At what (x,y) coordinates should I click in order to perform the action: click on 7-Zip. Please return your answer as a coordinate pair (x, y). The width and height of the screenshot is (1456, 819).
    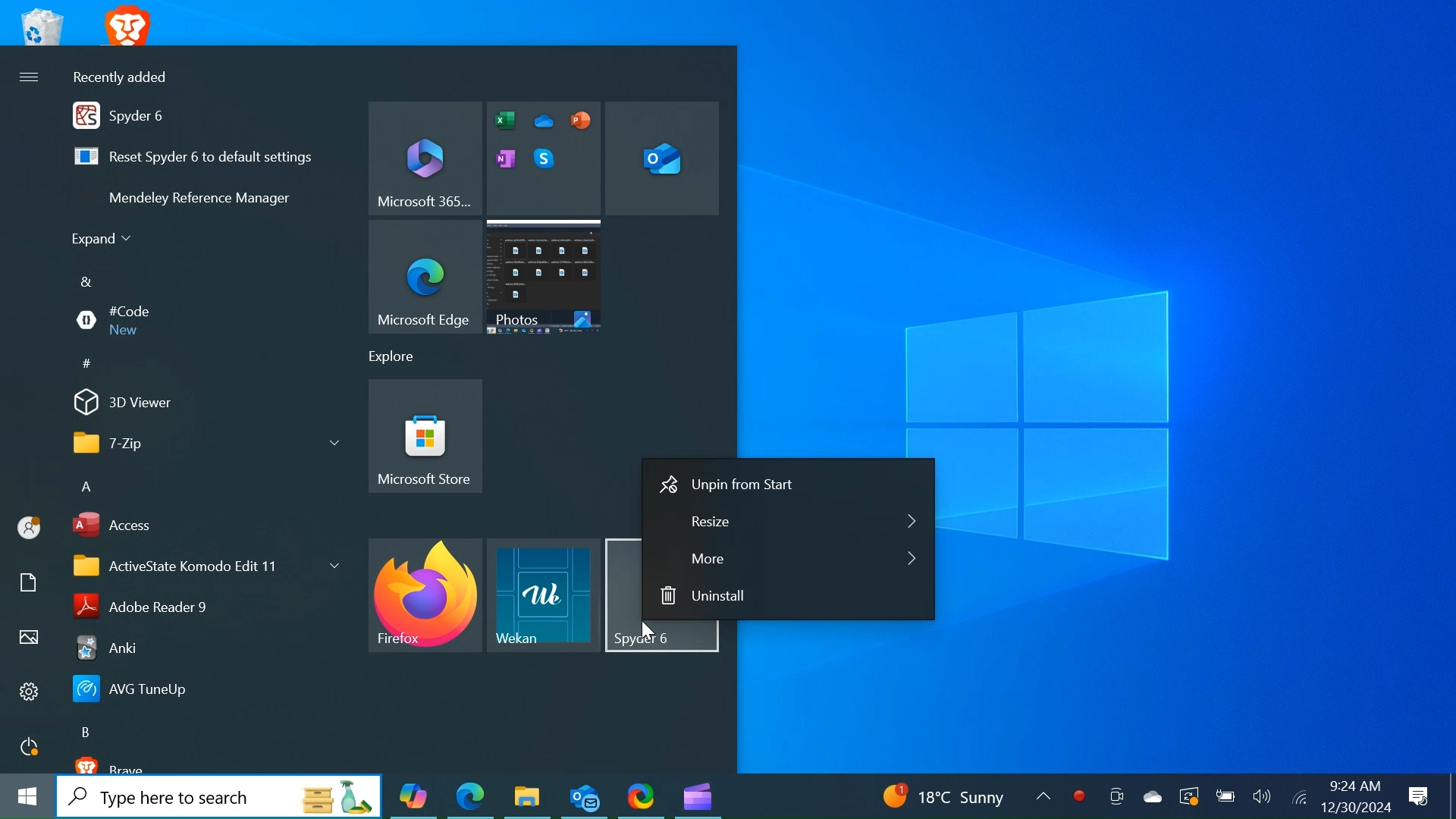
    Looking at the image, I should click on (199, 444).